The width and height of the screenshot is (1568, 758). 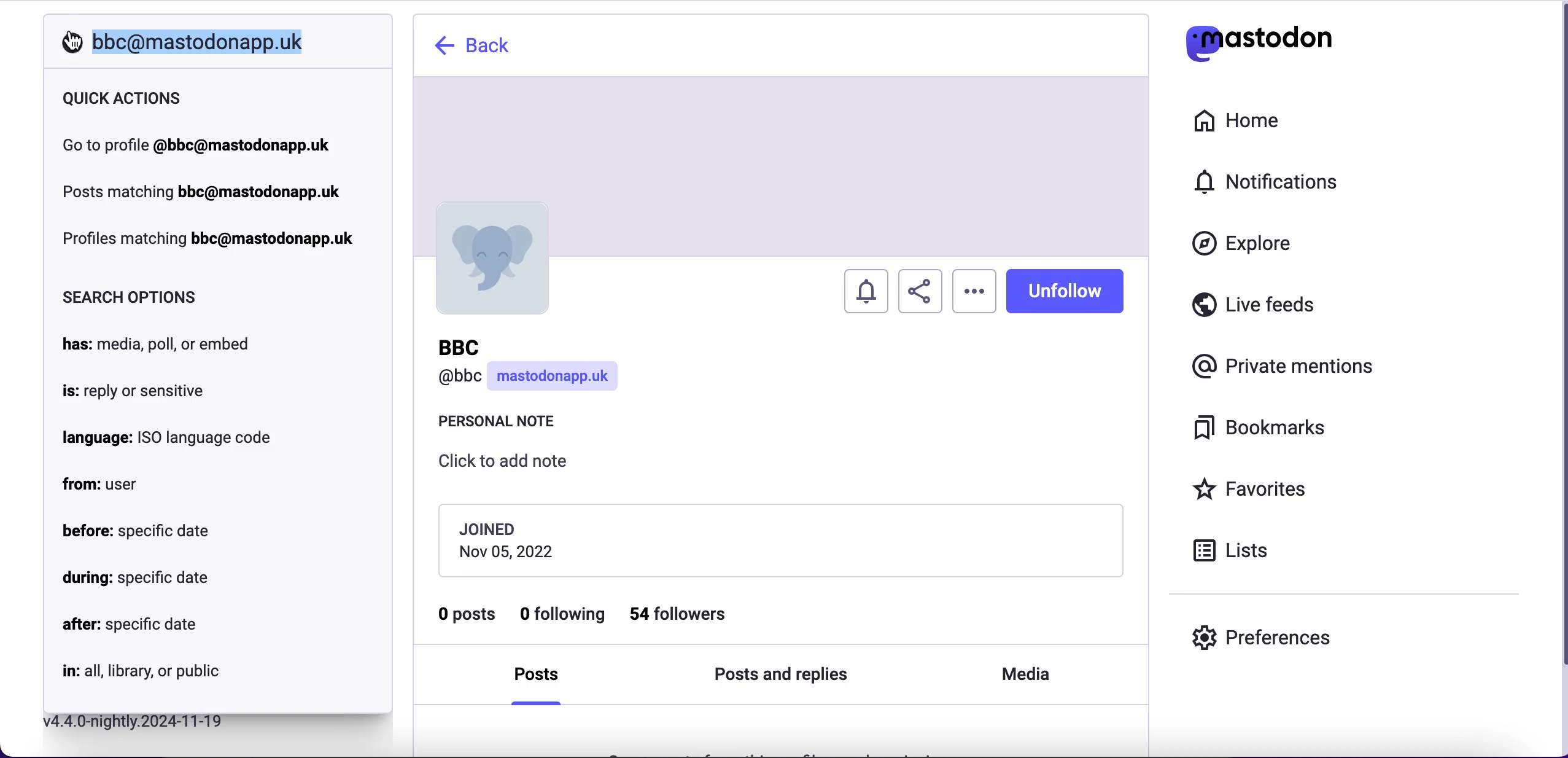 What do you see at coordinates (195, 42) in the screenshot?
I see `selected` at bounding box center [195, 42].